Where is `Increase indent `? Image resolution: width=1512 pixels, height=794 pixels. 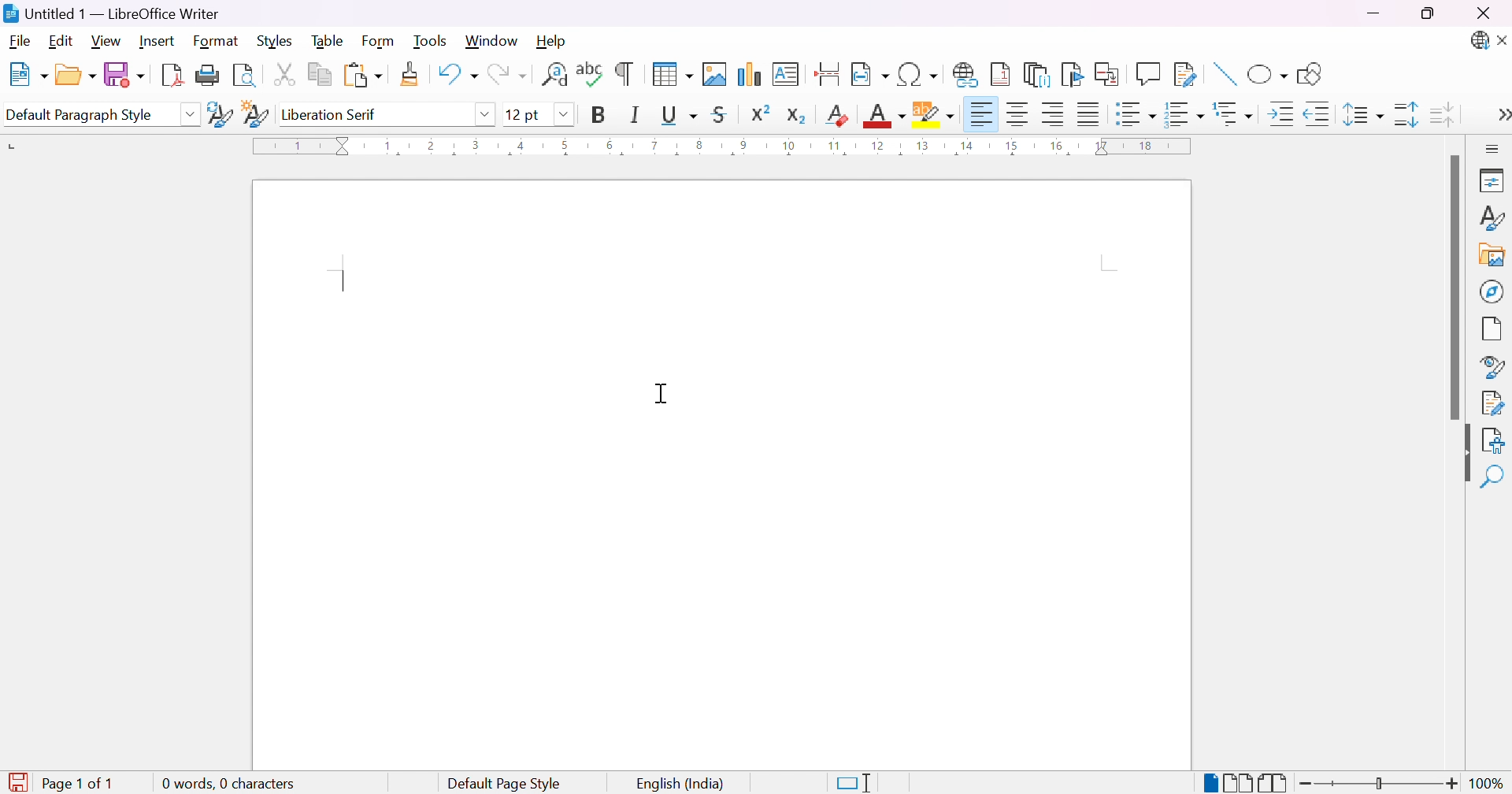 Increase indent  is located at coordinates (1284, 117).